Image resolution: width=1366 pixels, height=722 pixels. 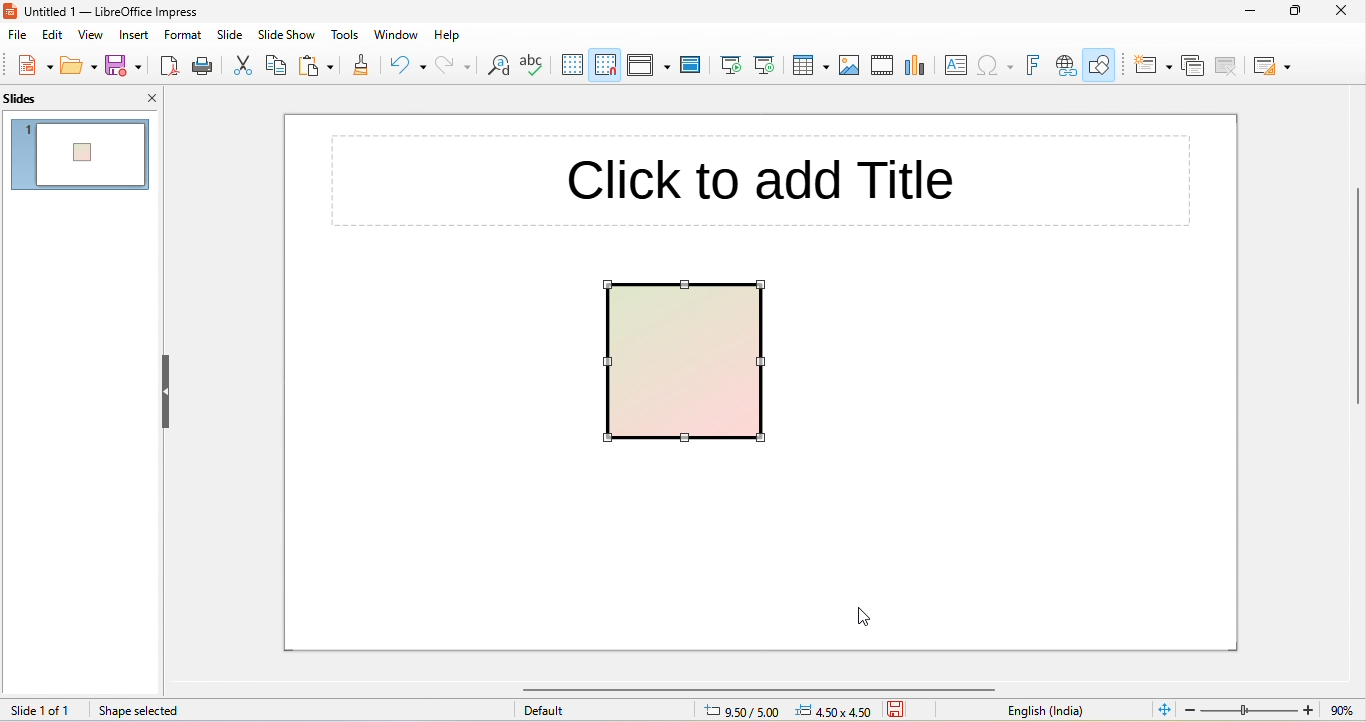 What do you see at coordinates (764, 63) in the screenshot?
I see `start from current` at bounding box center [764, 63].